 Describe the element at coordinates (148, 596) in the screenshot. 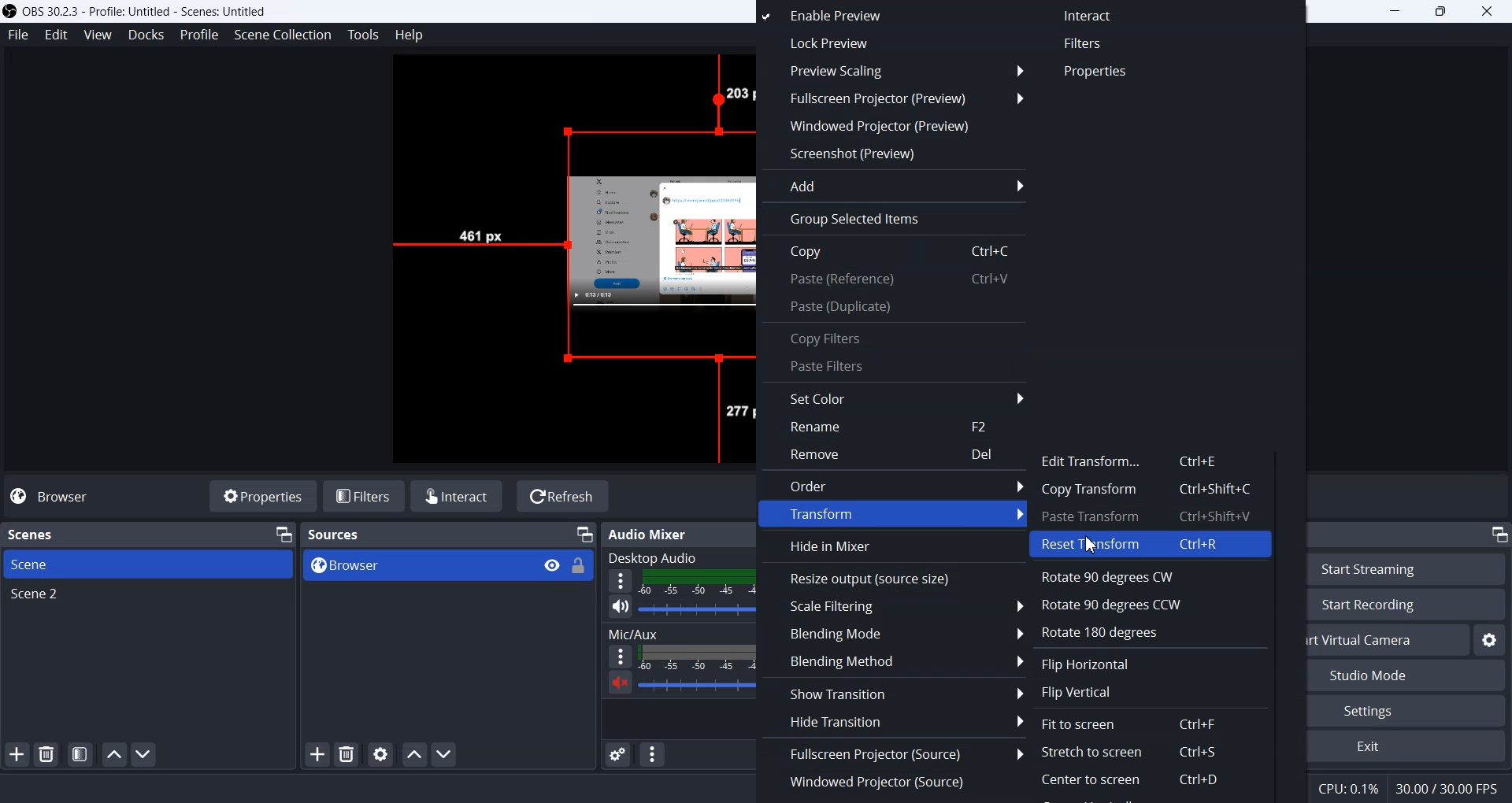

I see `Scene 2` at that location.